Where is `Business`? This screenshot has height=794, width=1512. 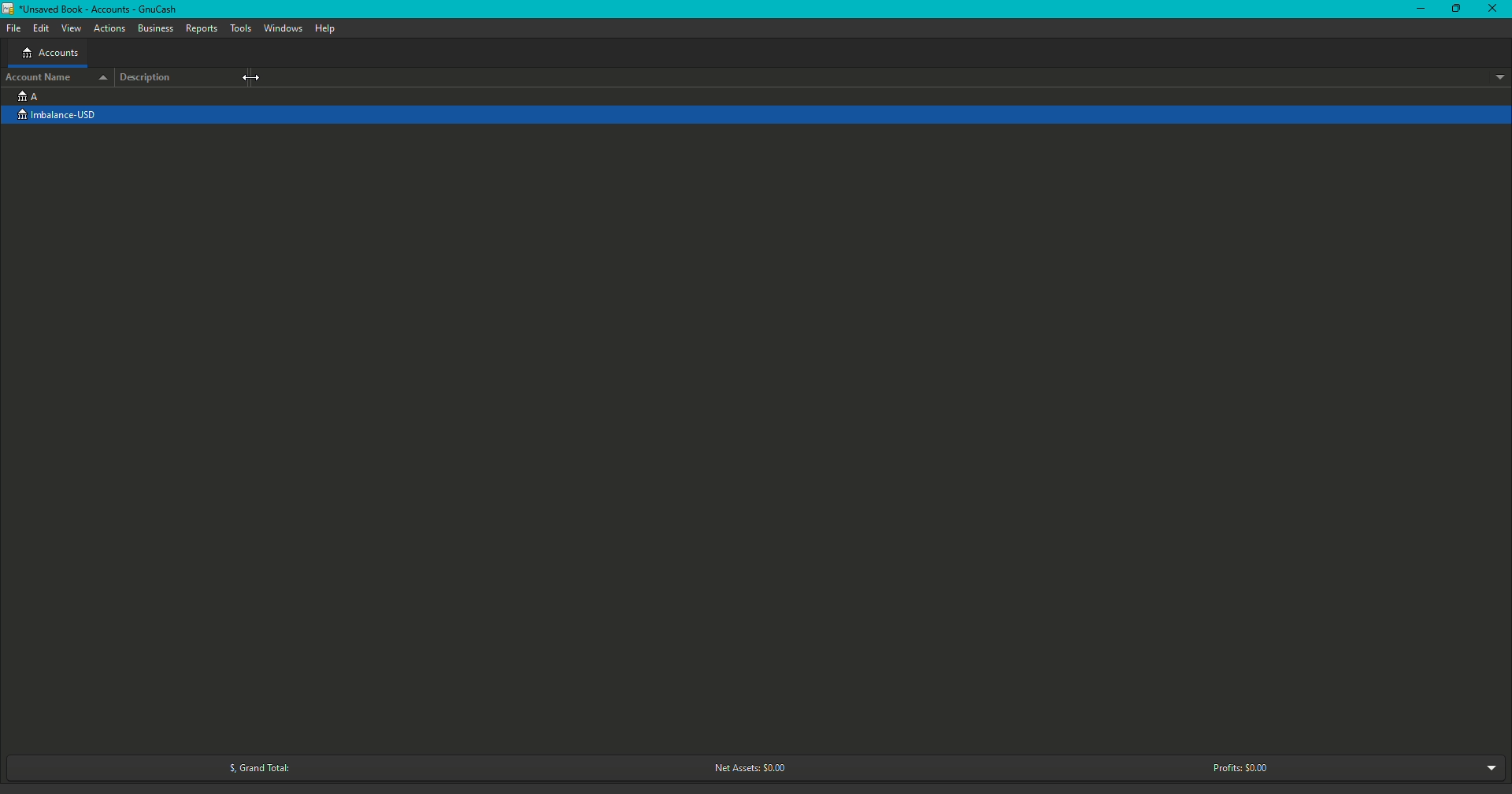 Business is located at coordinates (156, 29).